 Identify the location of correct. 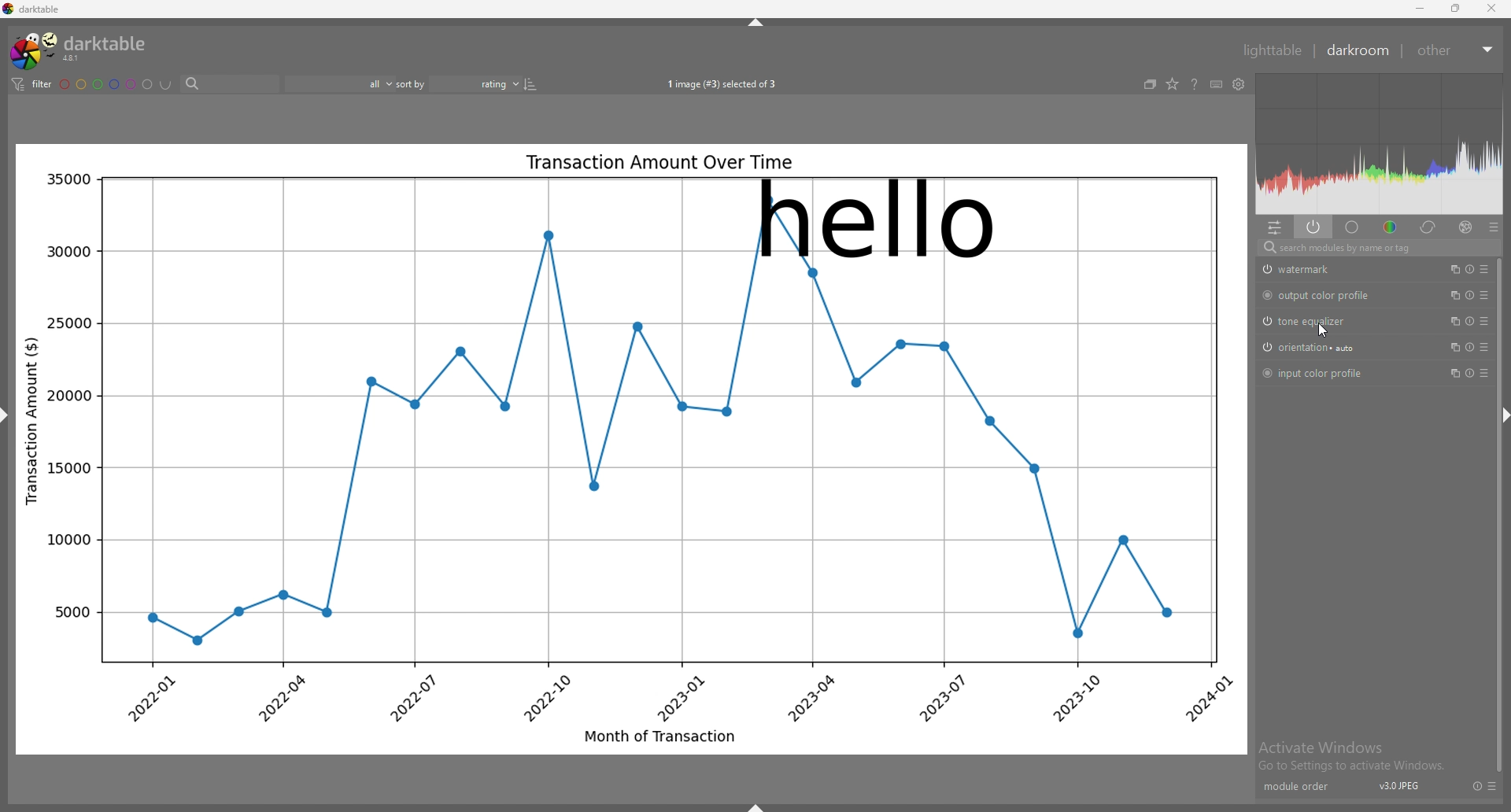
(1429, 227).